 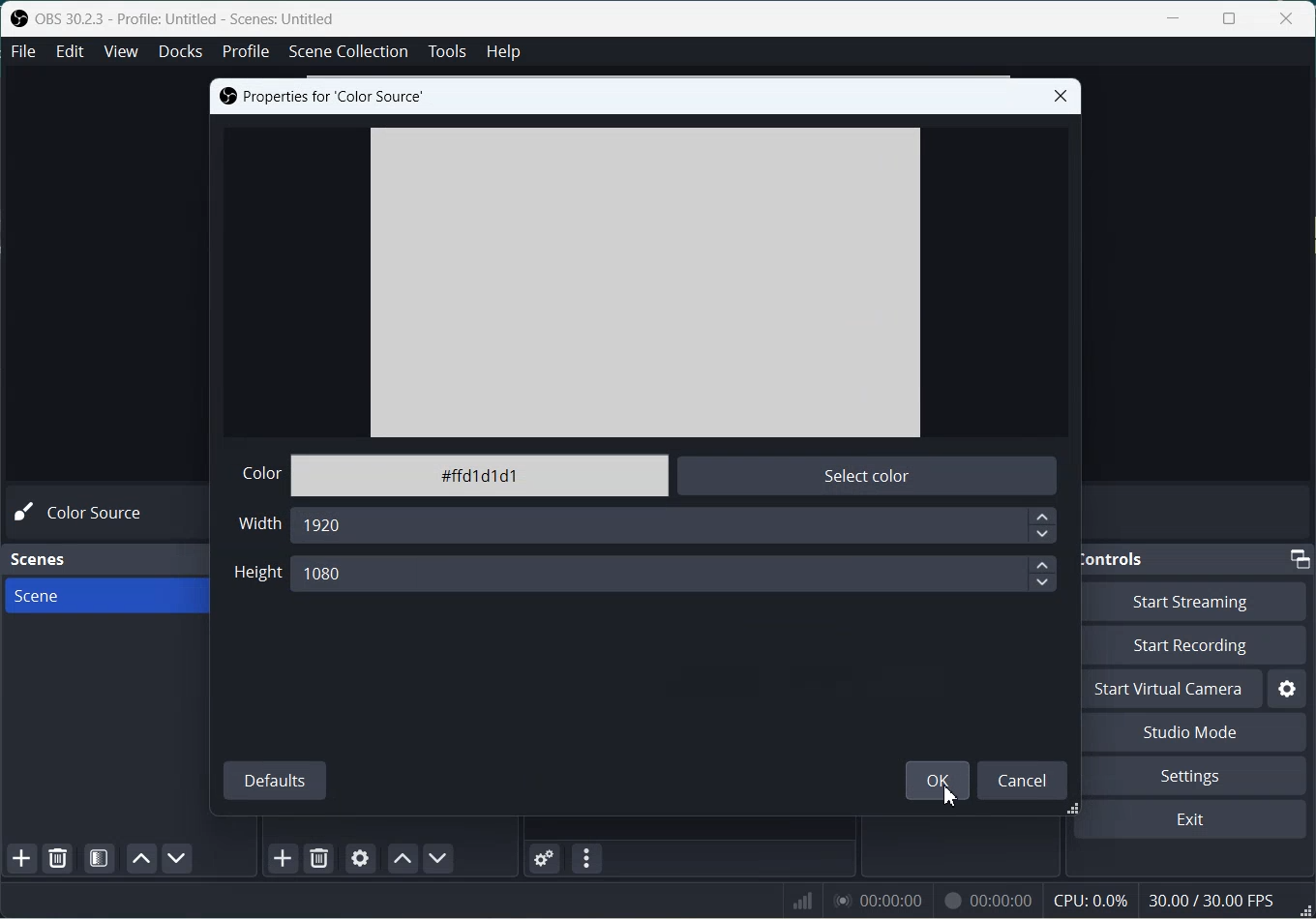 I want to click on Move scene up, so click(x=140, y=859).